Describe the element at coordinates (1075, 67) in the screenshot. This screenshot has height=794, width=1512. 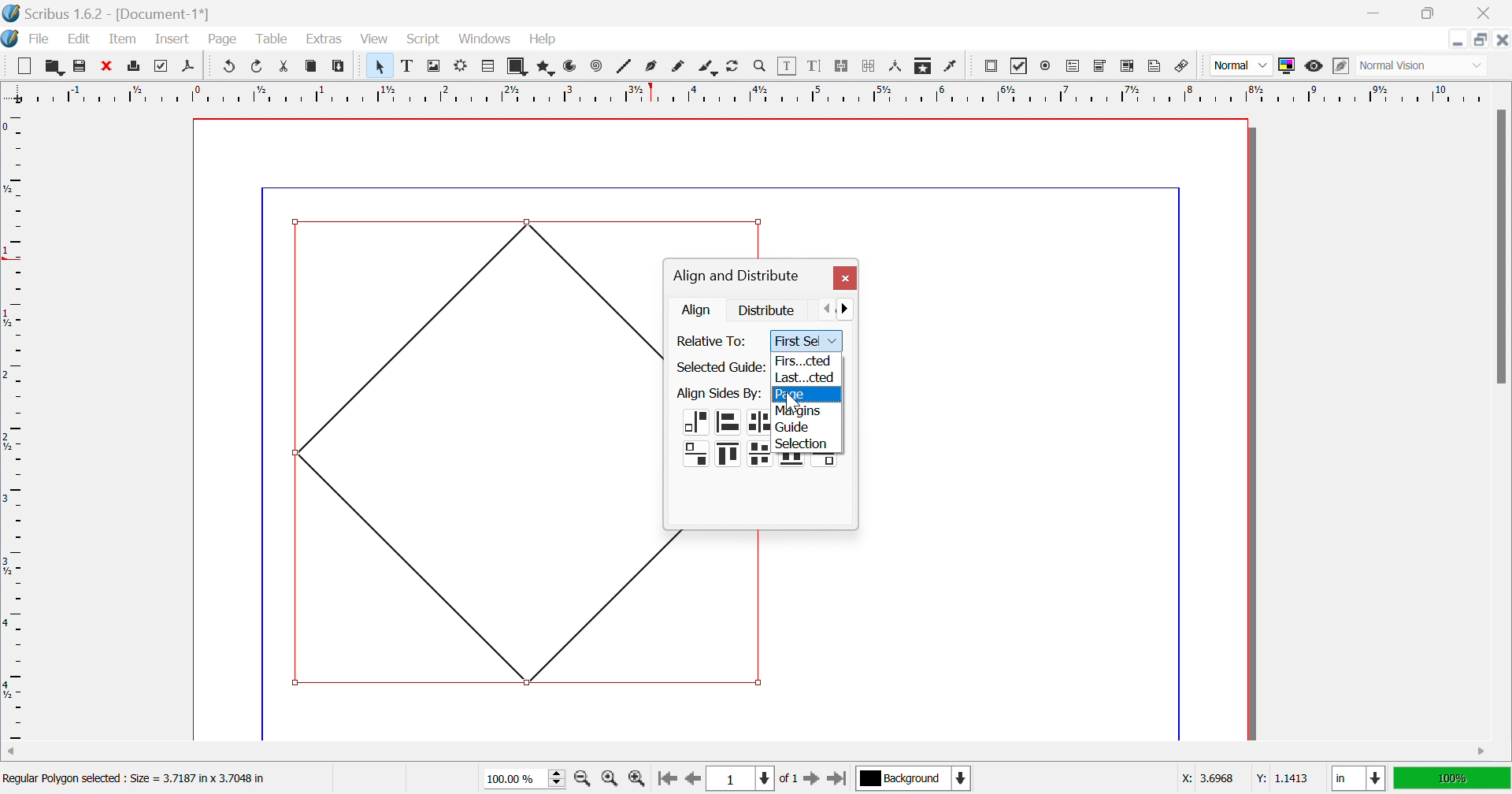
I see `PDF text field` at that location.